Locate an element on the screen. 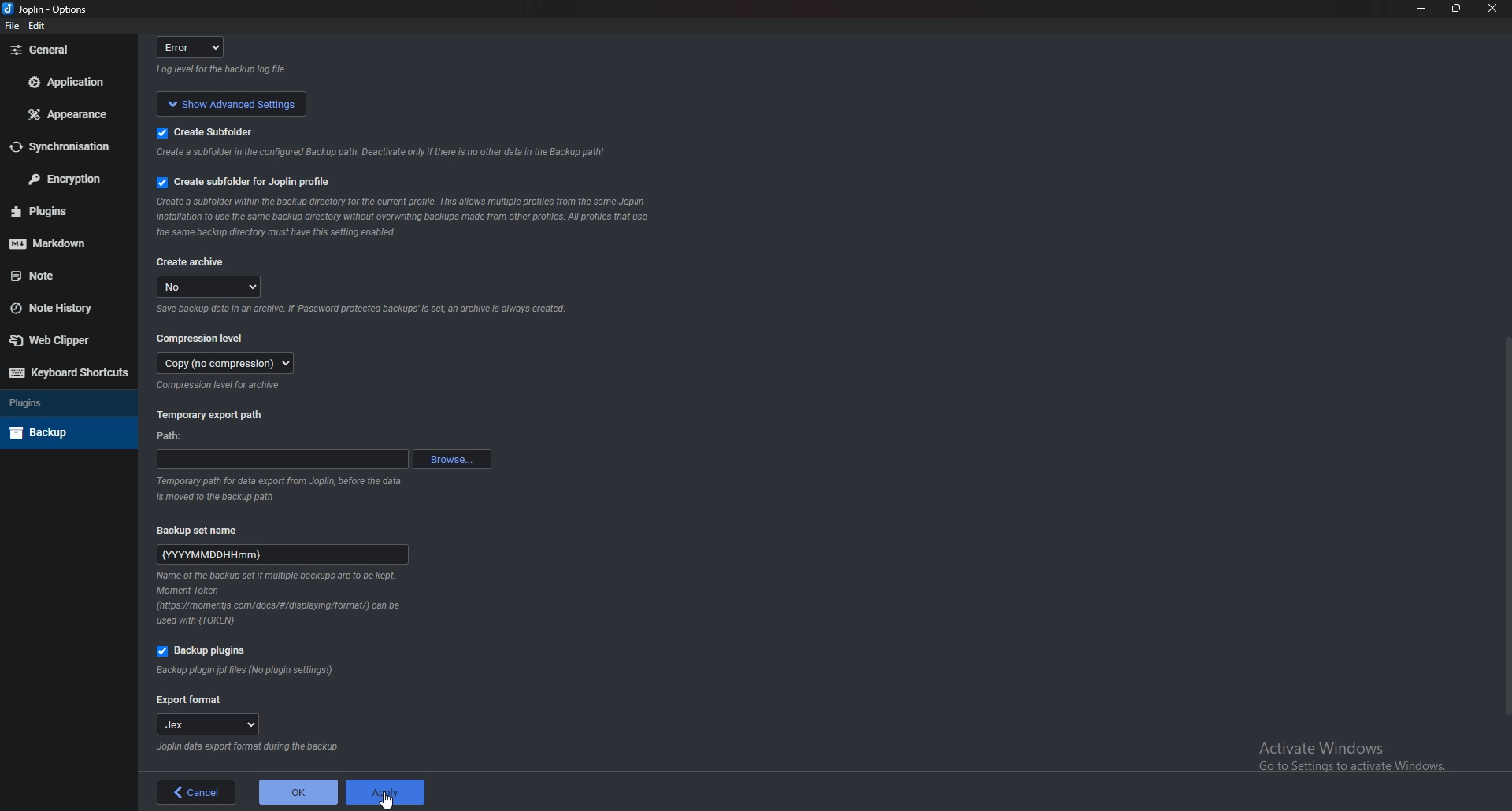  Cursor is located at coordinates (386, 801).